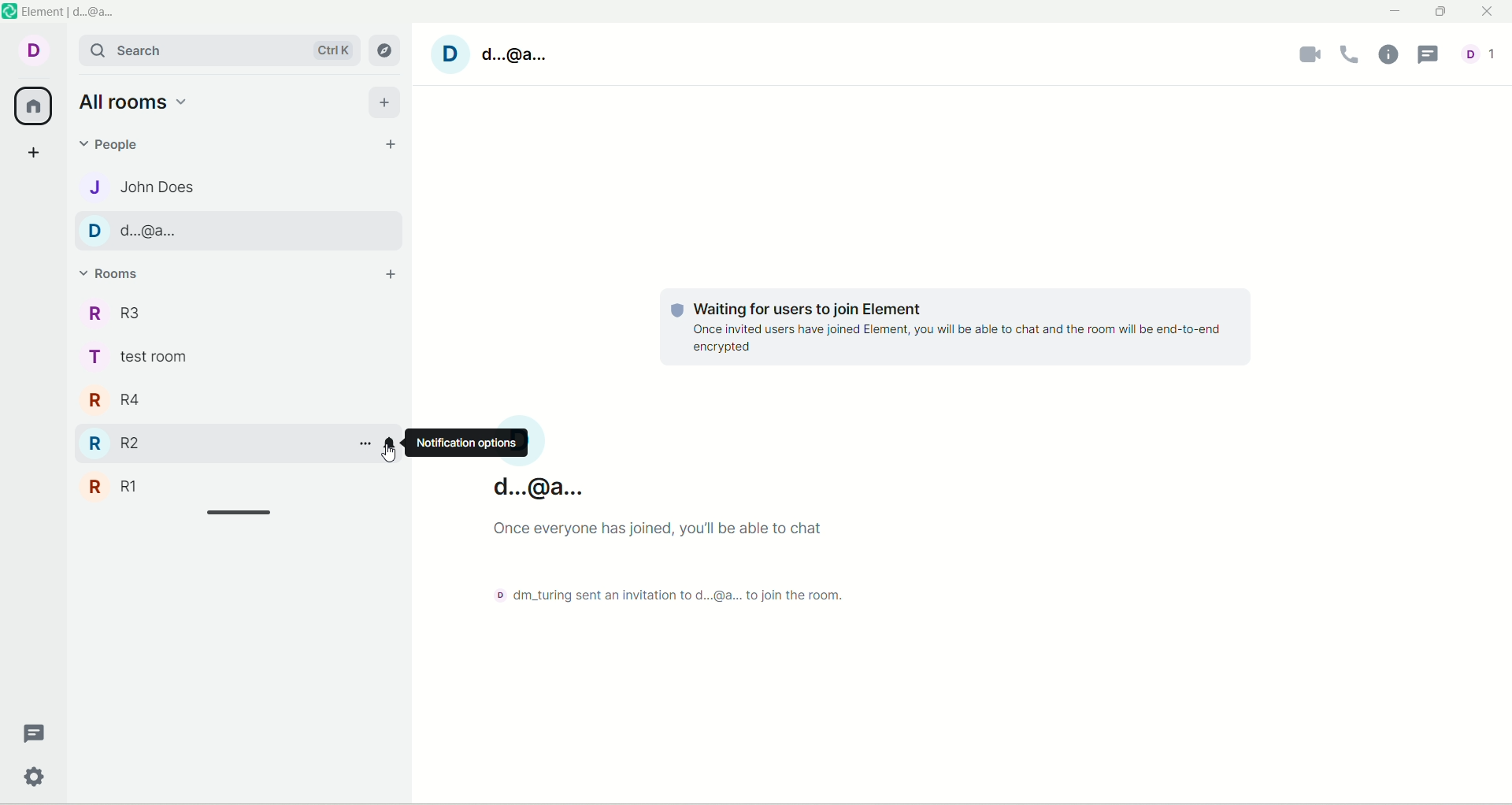 This screenshot has height=805, width=1512. I want to click on people, so click(115, 143).